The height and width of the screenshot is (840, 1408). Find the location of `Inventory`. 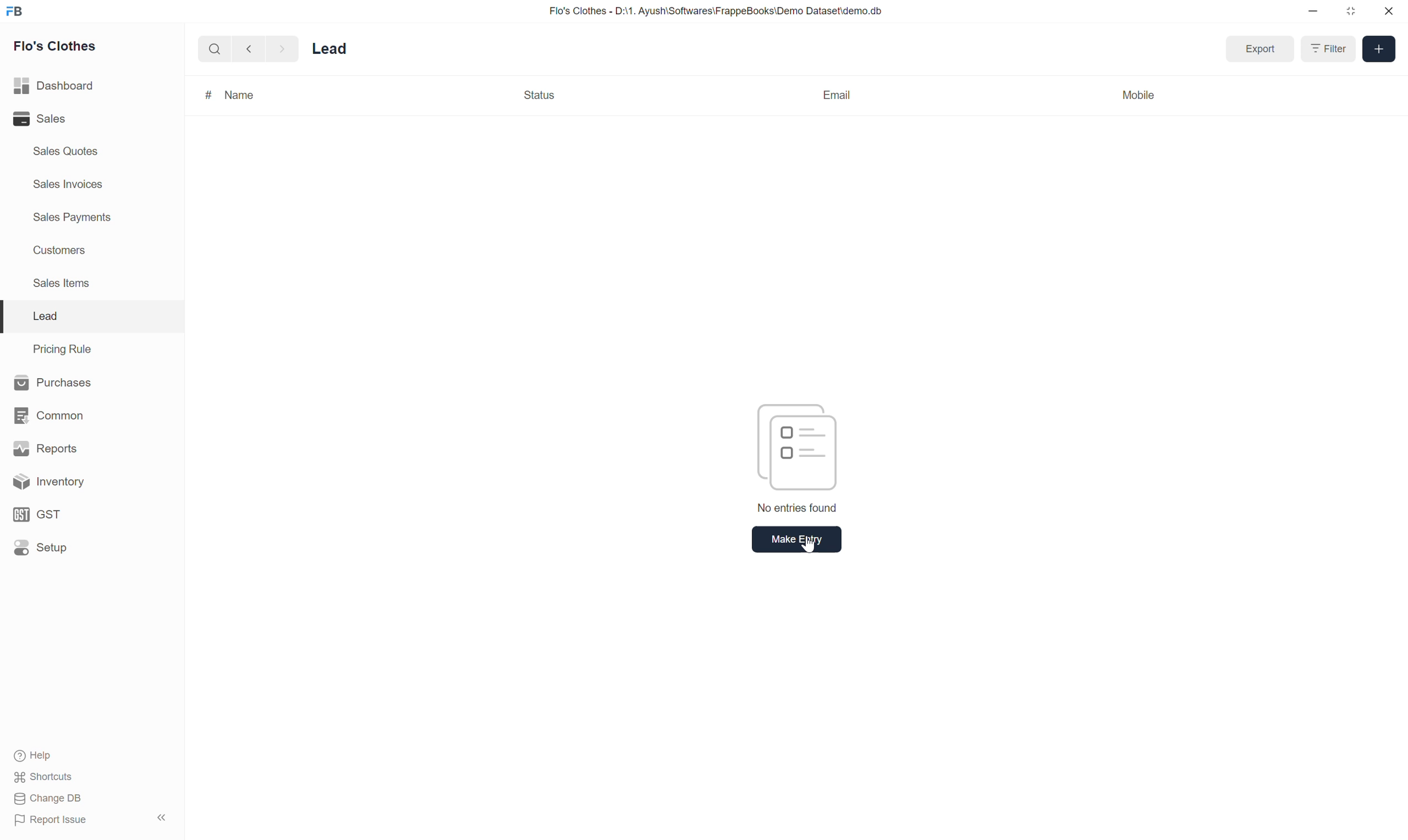

Inventory is located at coordinates (45, 482).